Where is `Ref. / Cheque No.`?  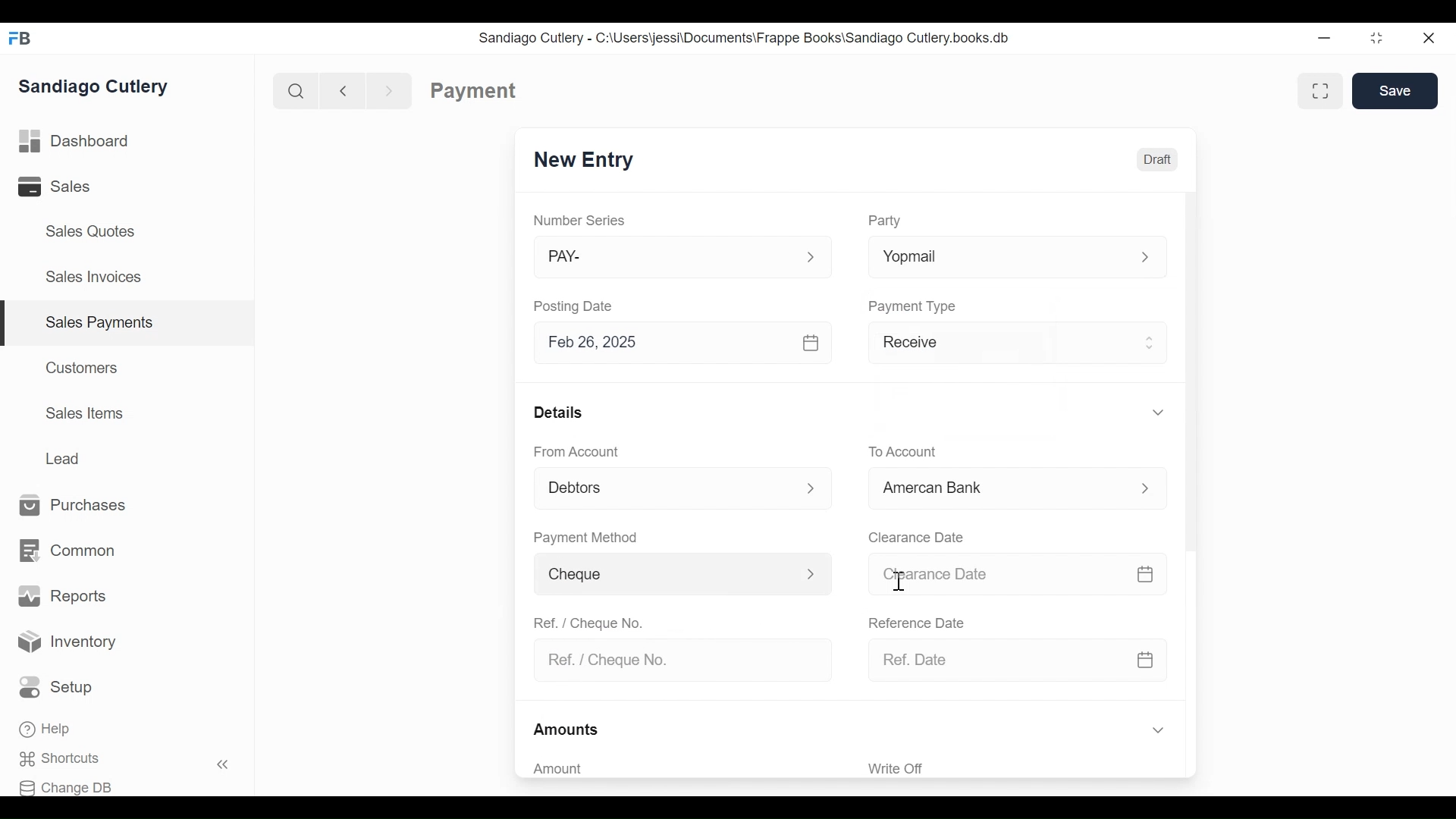
Ref. / Cheque No. is located at coordinates (676, 661).